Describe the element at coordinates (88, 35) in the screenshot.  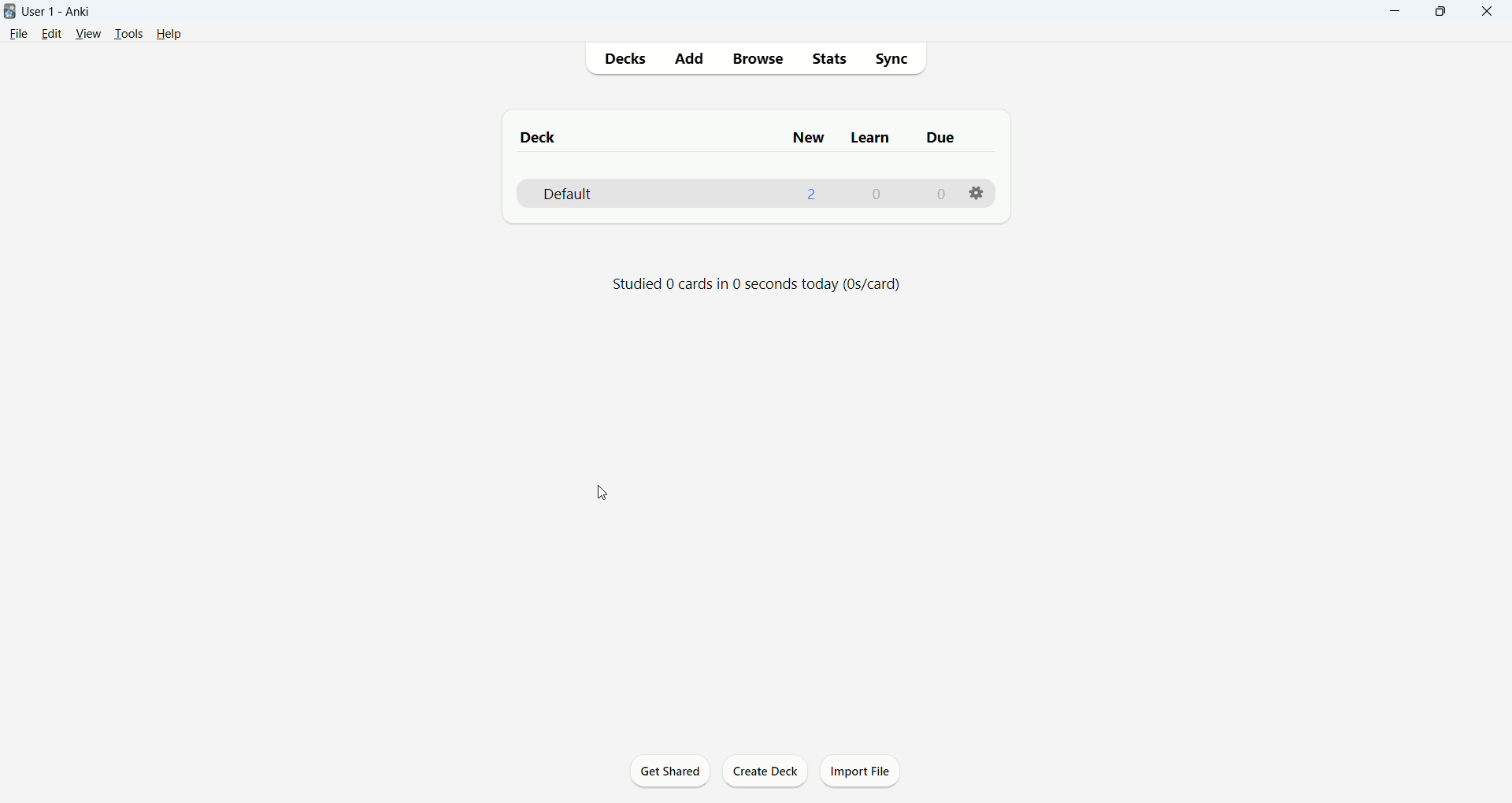
I see `view` at that location.